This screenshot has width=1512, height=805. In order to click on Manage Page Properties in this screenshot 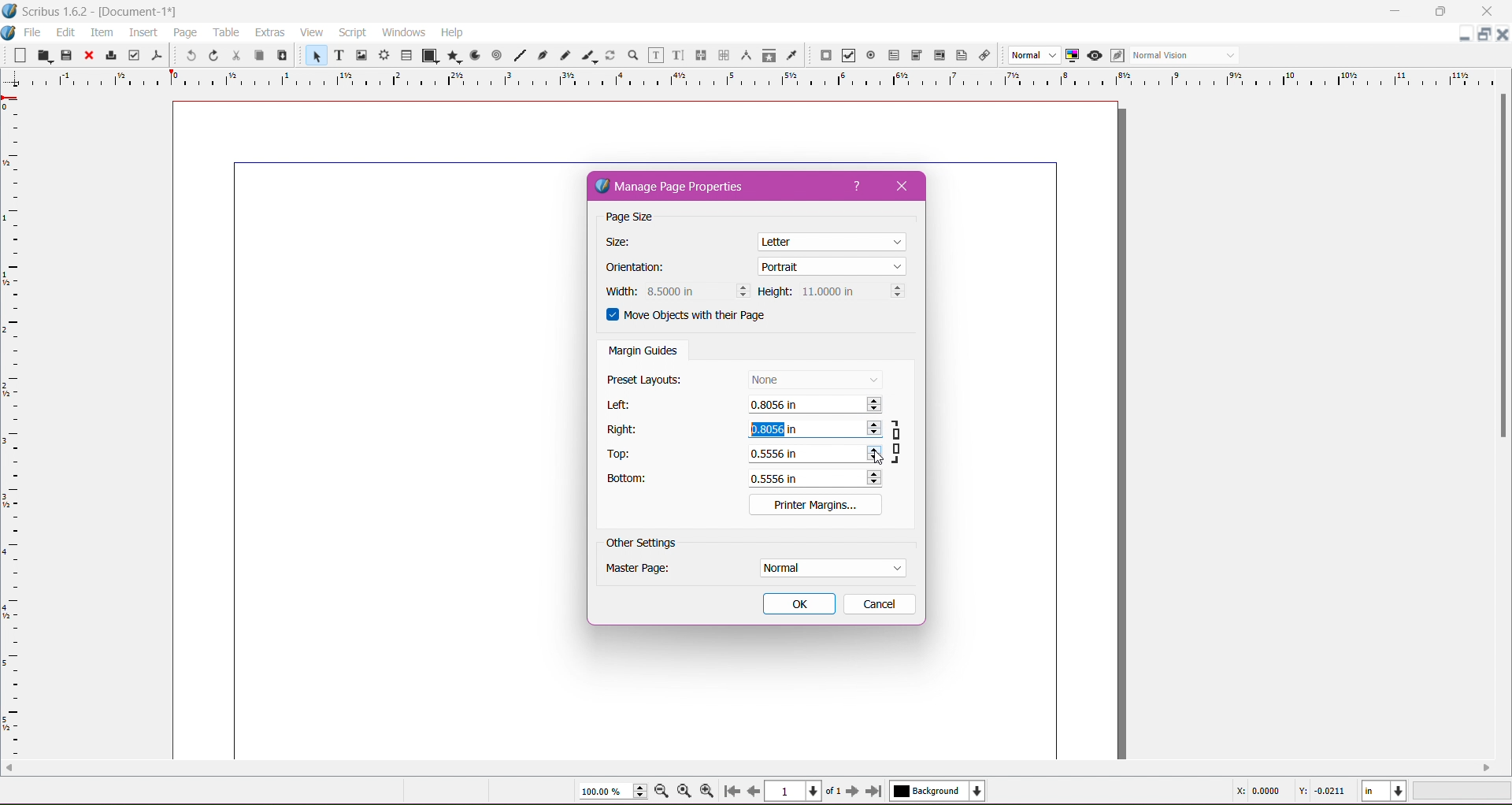, I will do `click(682, 187)`.